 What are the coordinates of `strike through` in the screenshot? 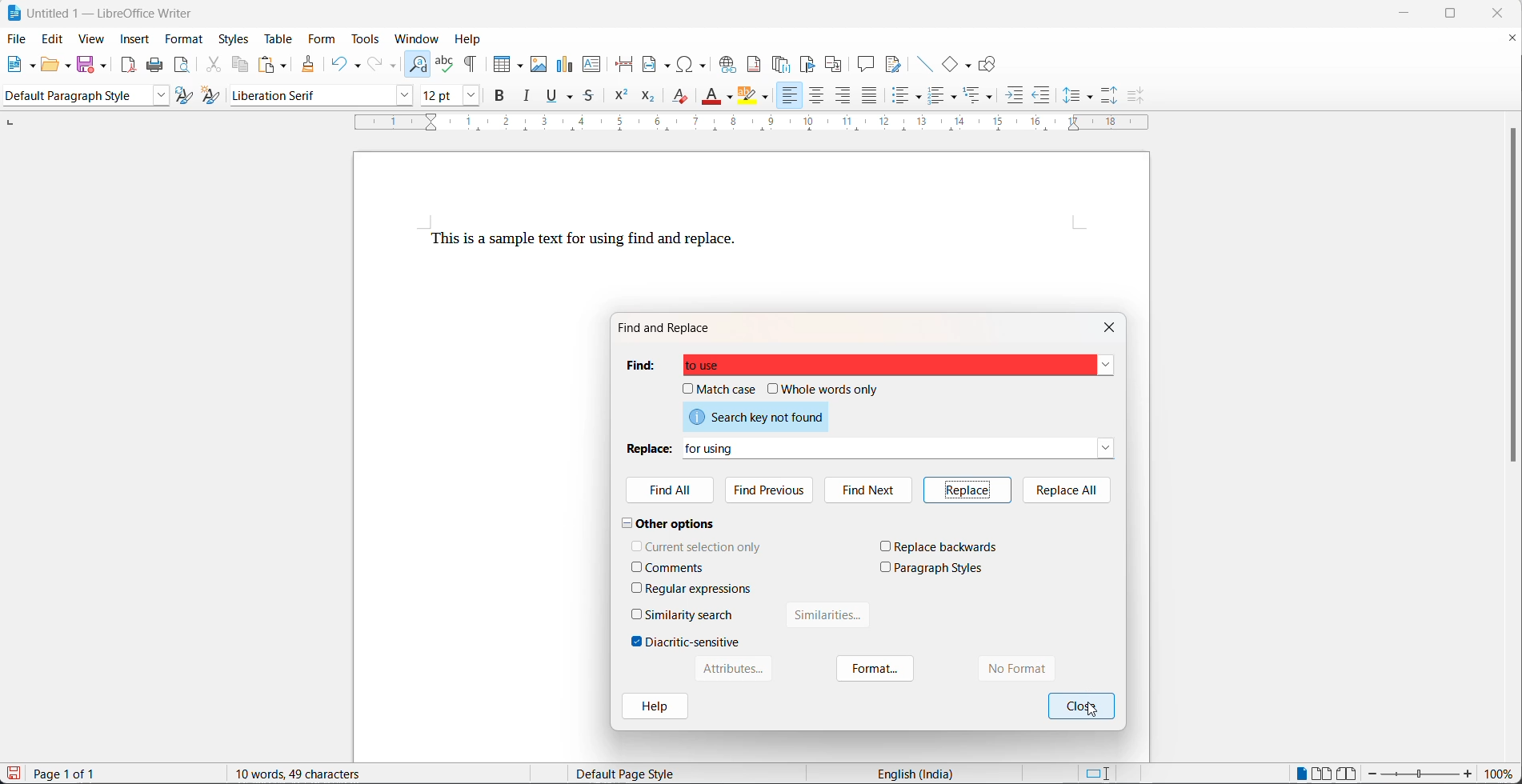 It's located at (591, 98).